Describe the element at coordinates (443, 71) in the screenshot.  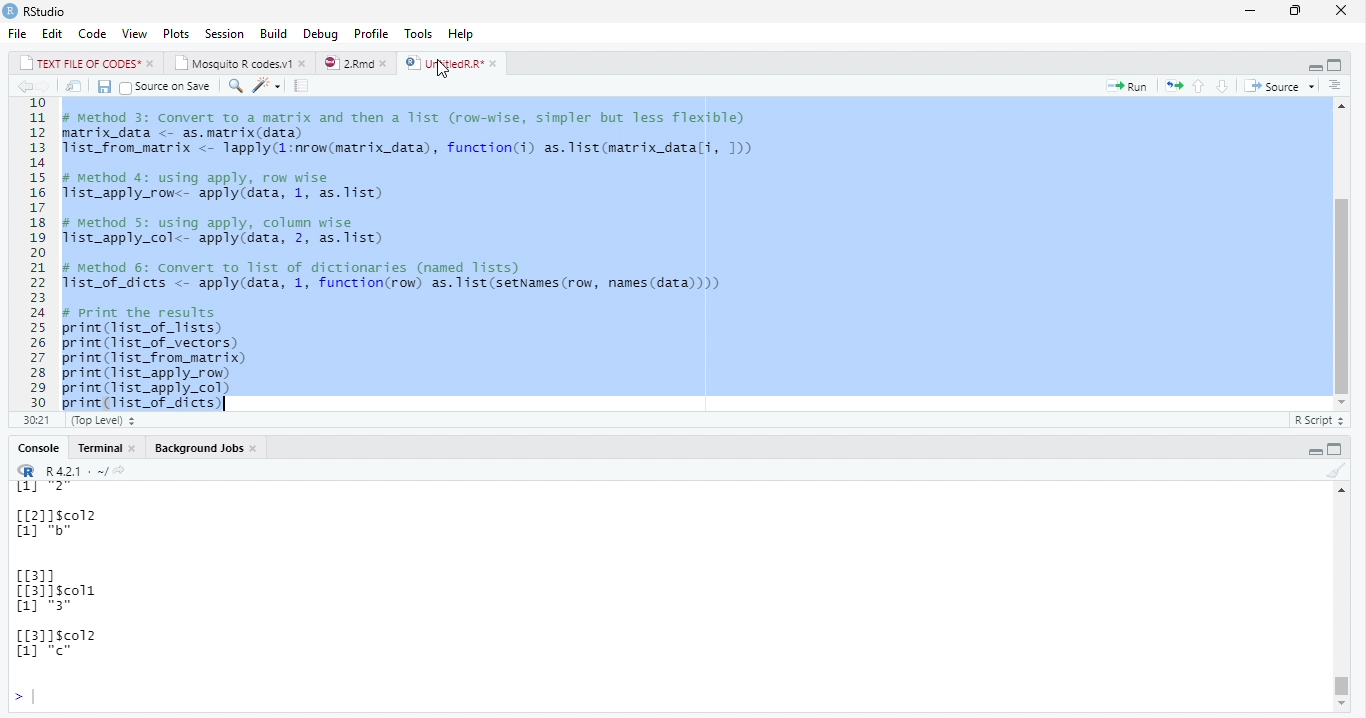
I see `cursor` at that location.